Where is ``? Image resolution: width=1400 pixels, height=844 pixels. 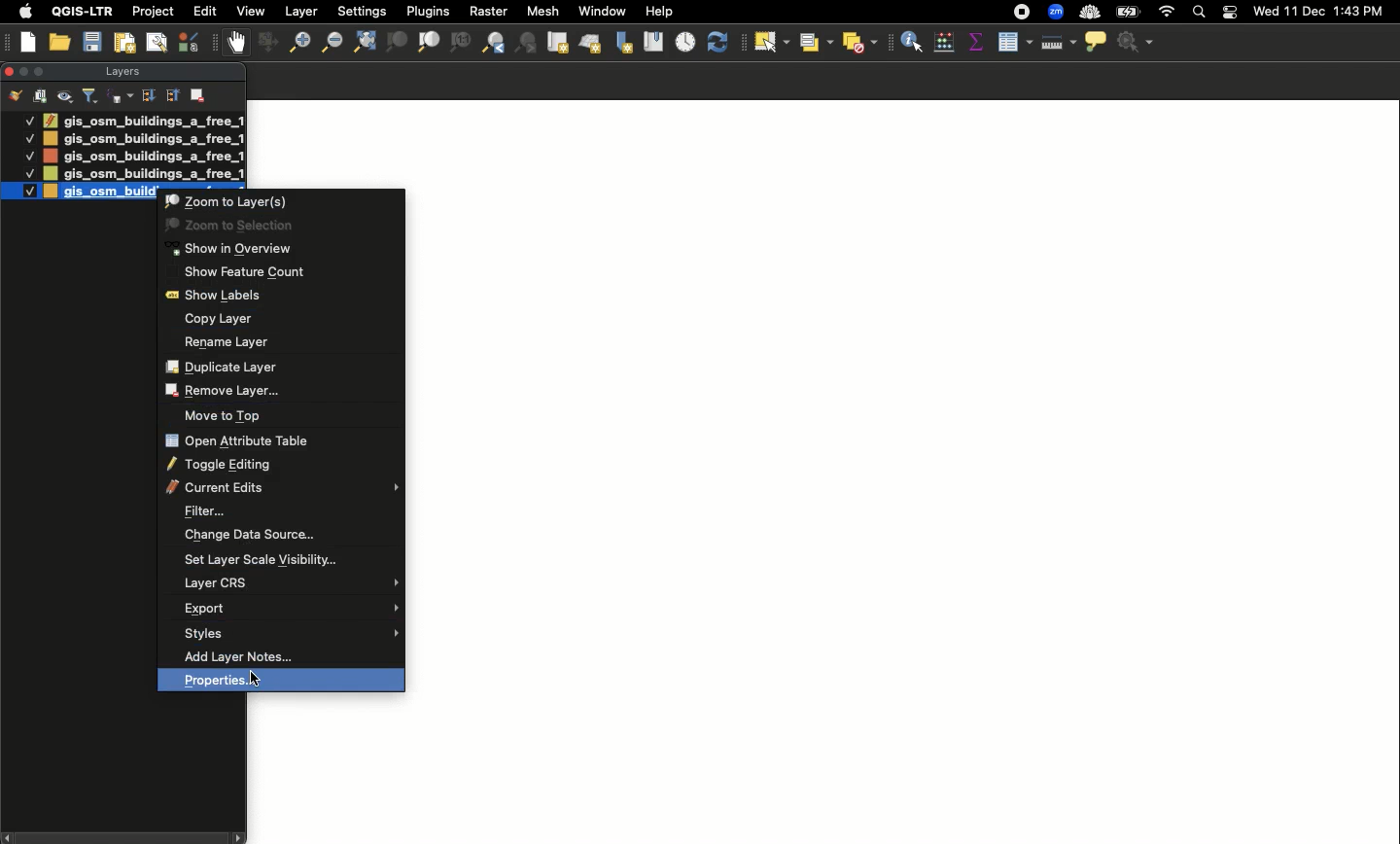
 is located at coordinates (1093, 14).